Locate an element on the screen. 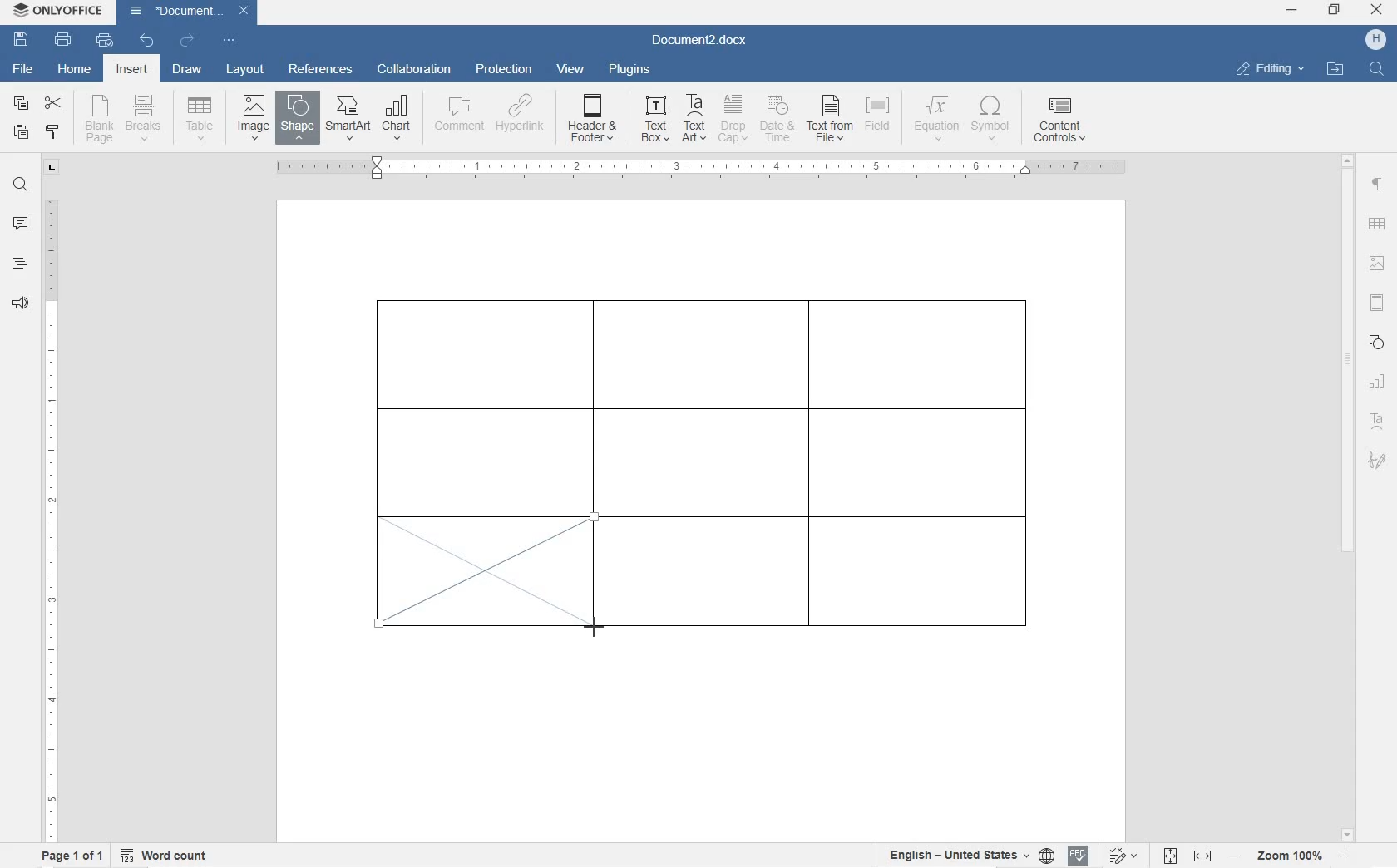 The image size is (1397, 868). textart is located at coordinates (1376, 418).